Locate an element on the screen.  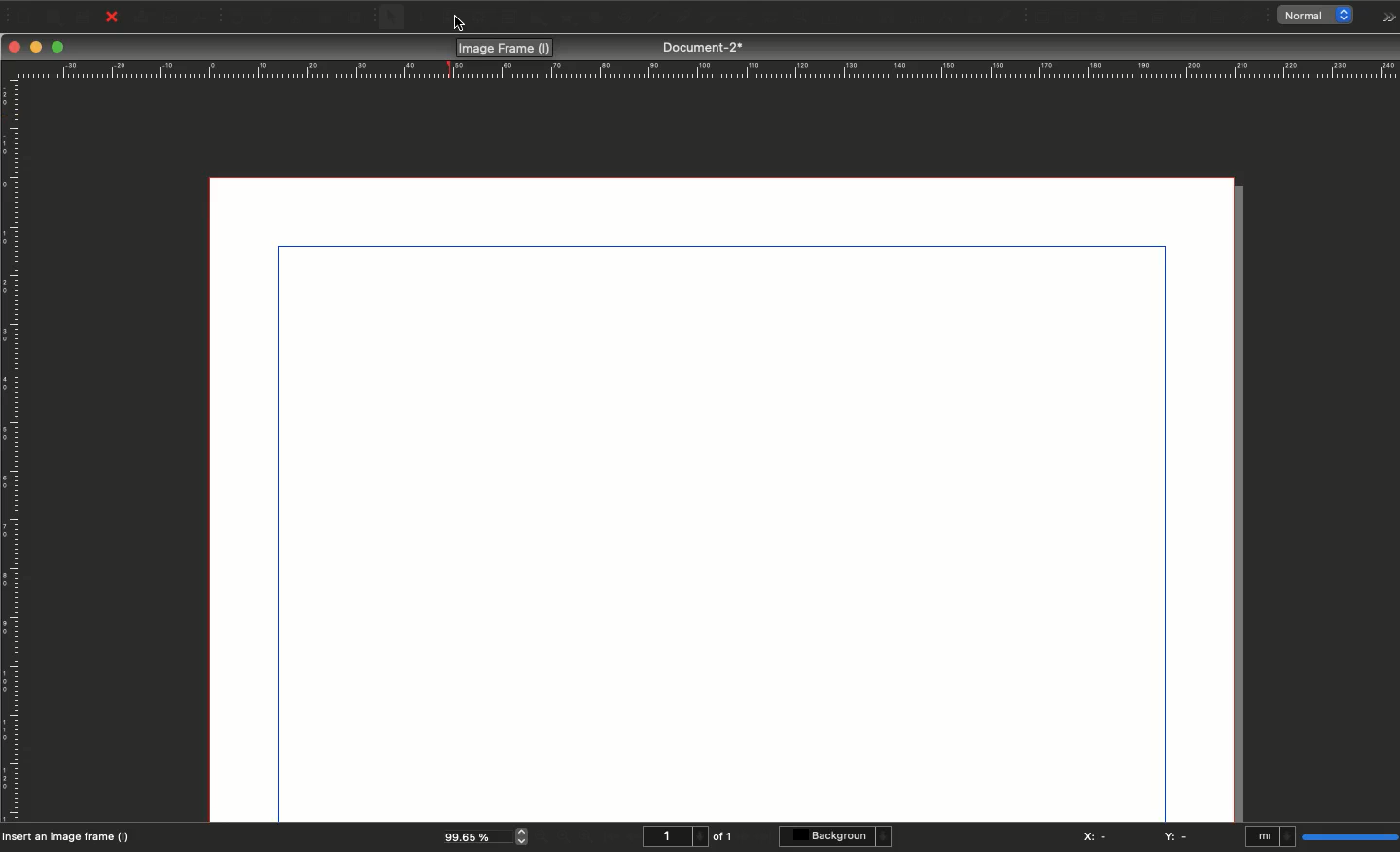
Measurements is located at coordinates (941, 18).